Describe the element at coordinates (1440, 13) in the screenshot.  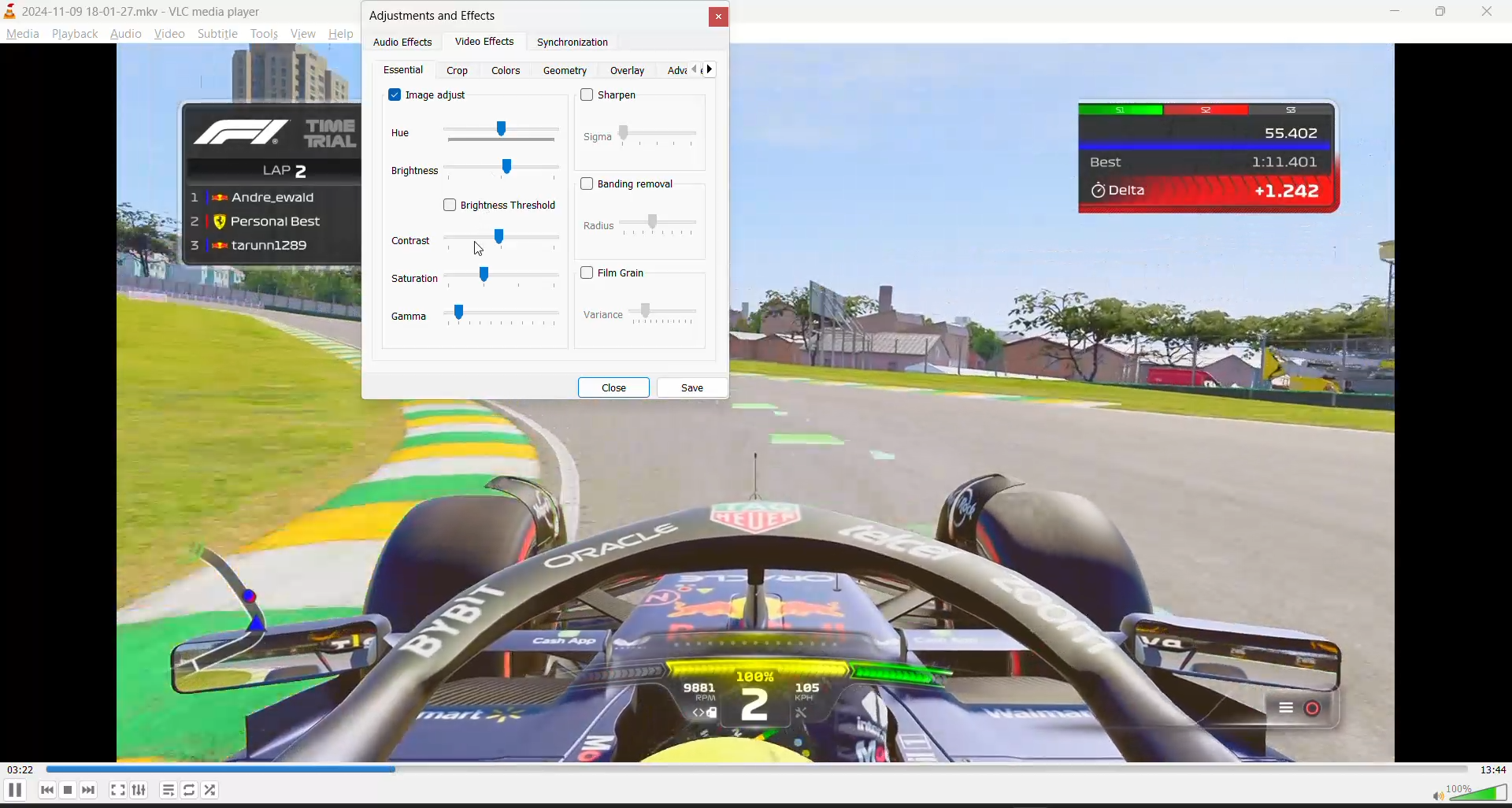
I see `maximize` at that location.